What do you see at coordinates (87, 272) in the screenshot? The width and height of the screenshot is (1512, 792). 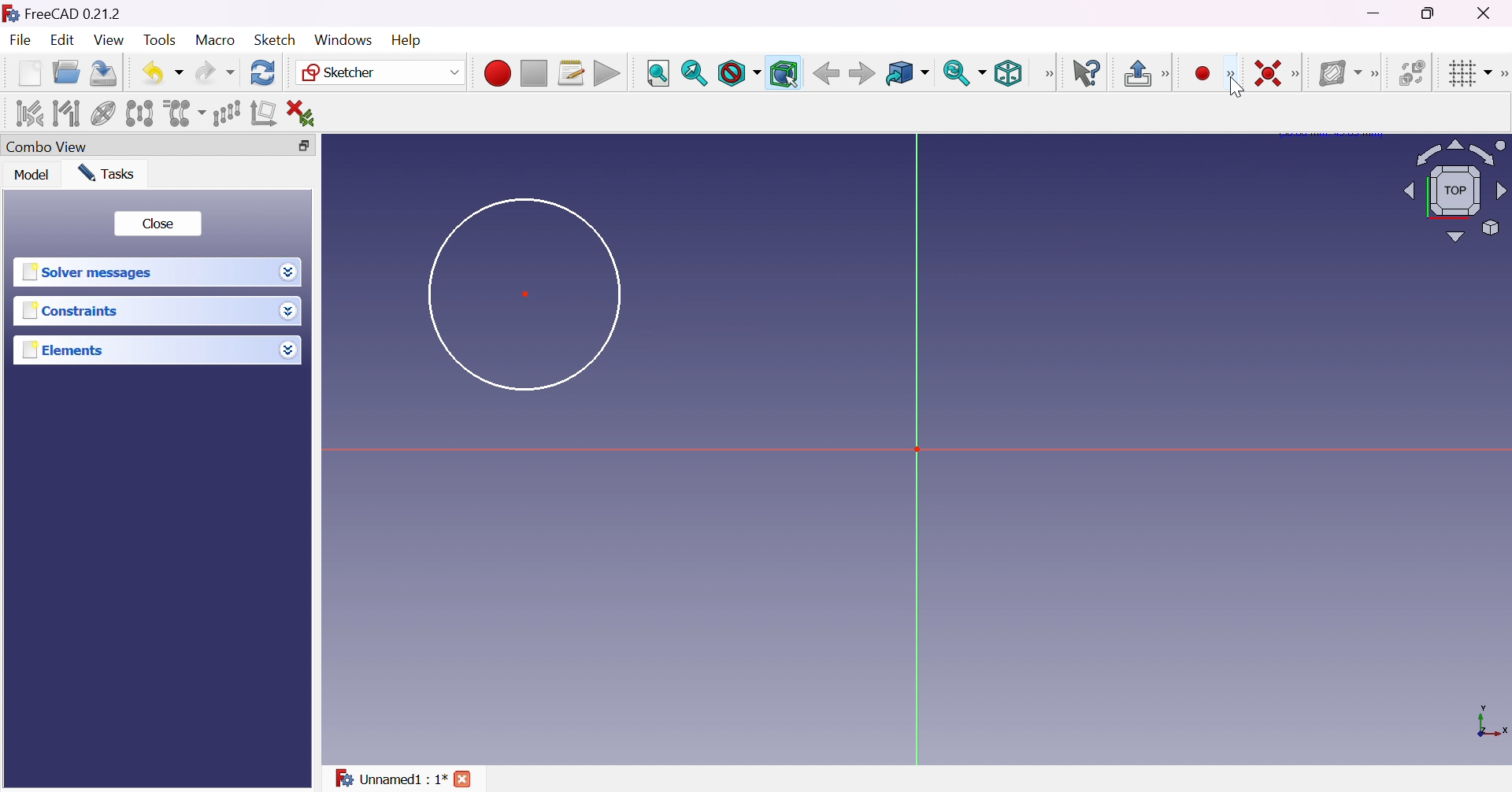 I see `Solver messages` at bounding box center [87, 272].